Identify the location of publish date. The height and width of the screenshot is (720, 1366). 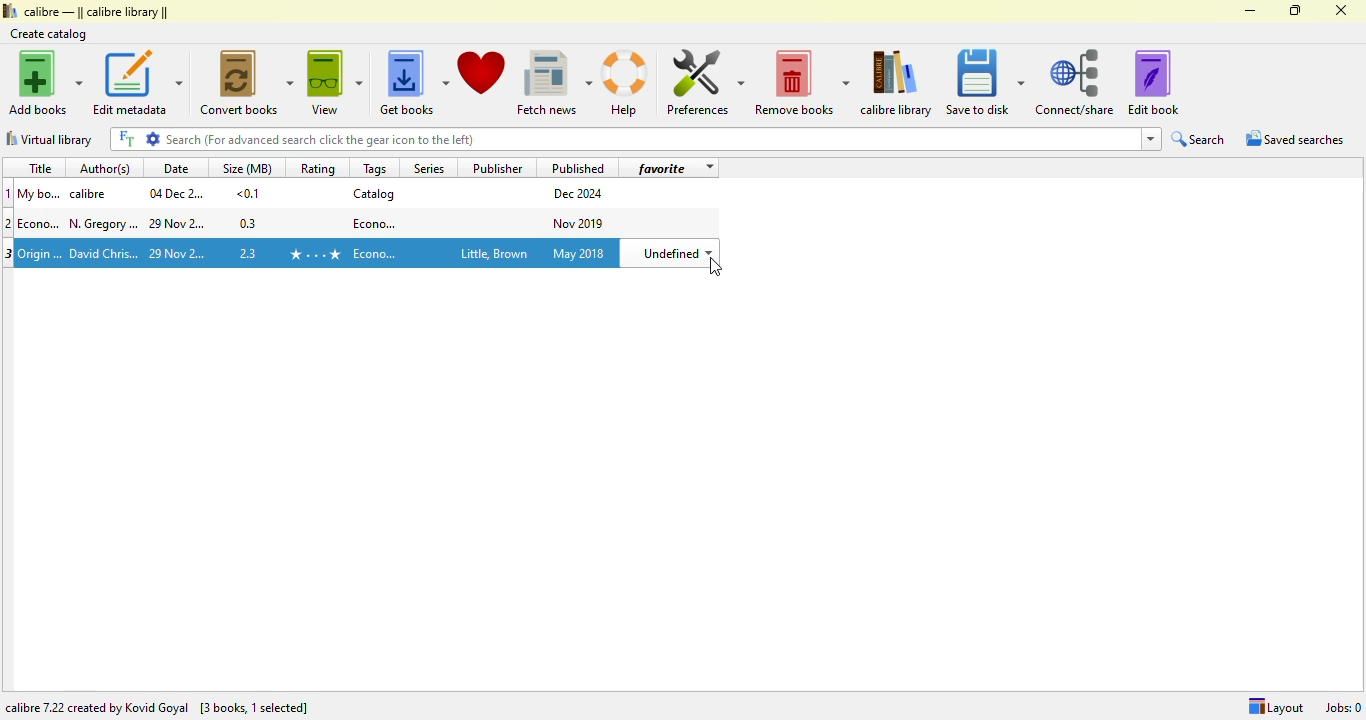
(580, 194).